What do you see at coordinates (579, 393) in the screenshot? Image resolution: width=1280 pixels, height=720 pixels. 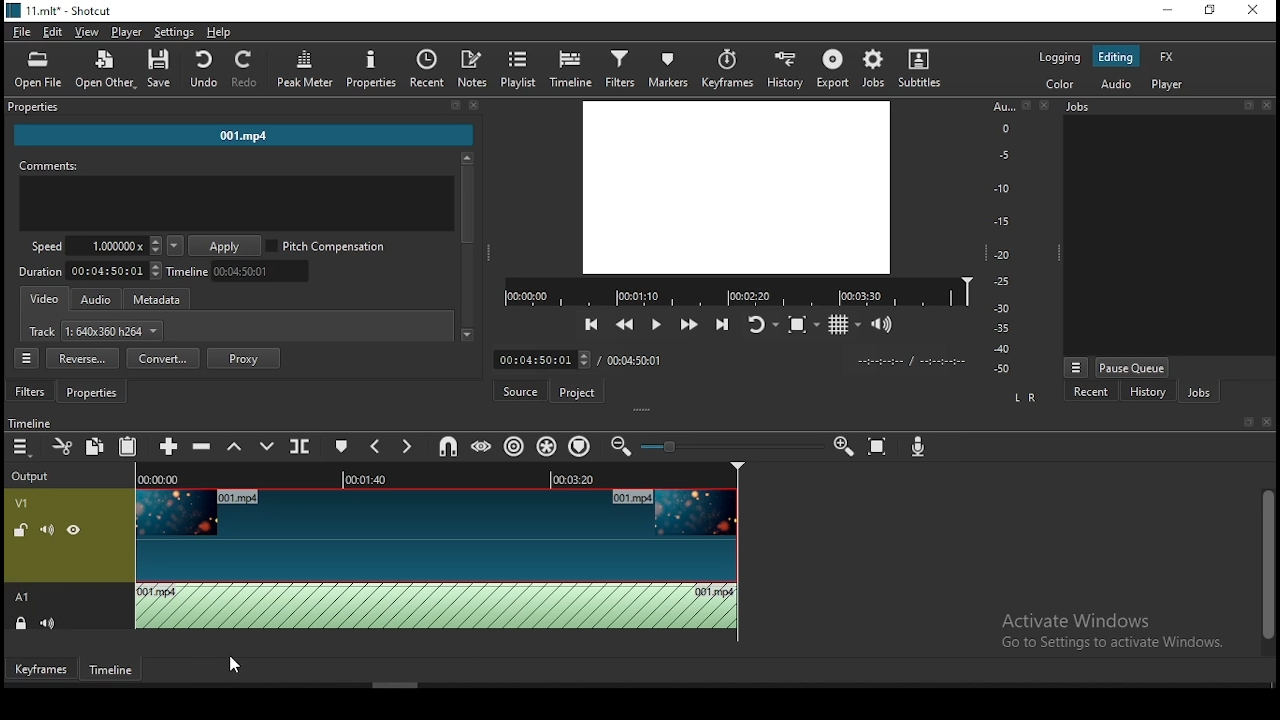 I see `project` at bounding box center [579, 393].